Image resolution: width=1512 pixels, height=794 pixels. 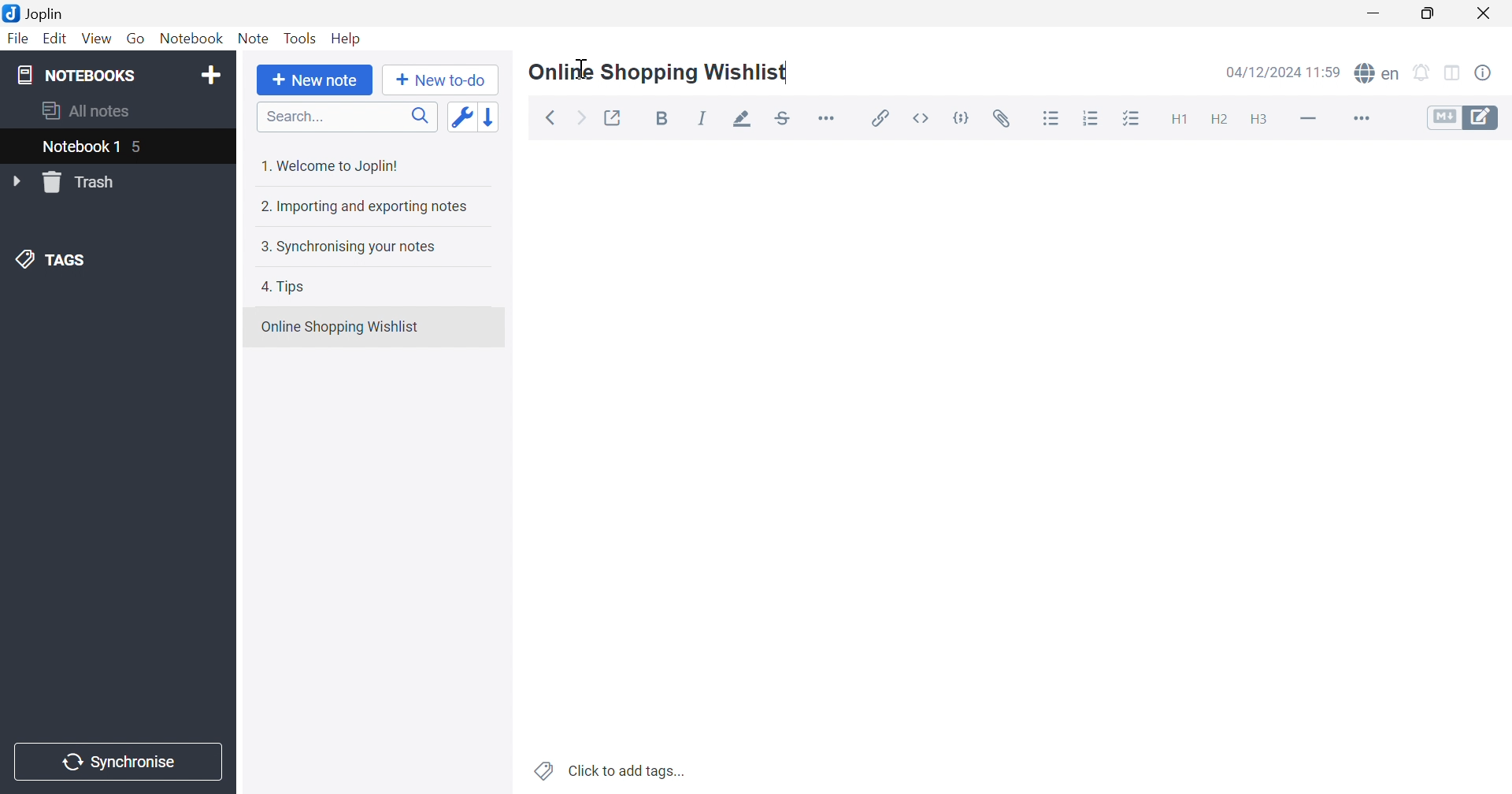 What do you see at coordinates (584, 119) in the screenshot?
I see `Forward` at bounding box center [584, 119].